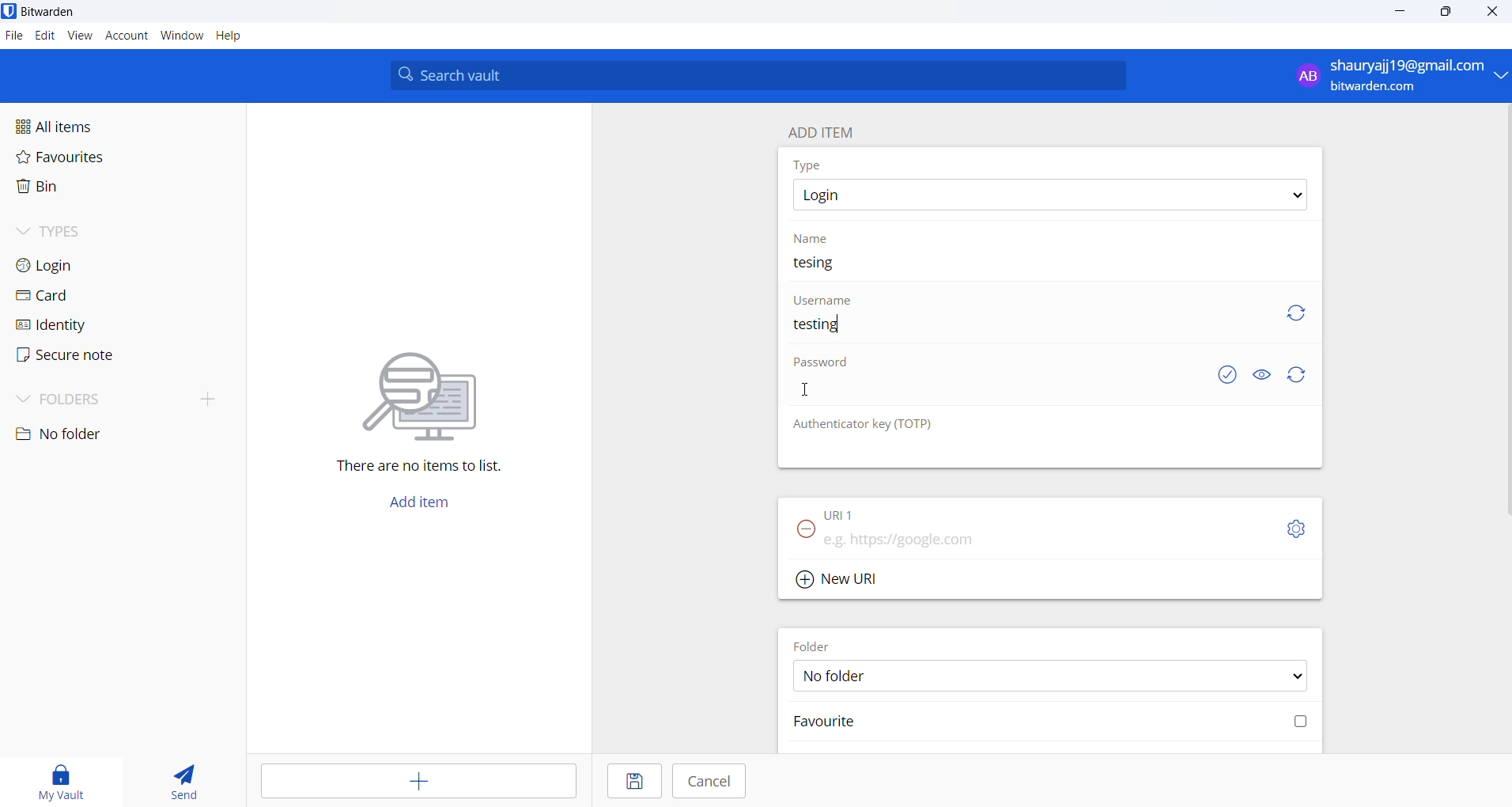 This screenshot has width=1512, height=807. I want to click on add item button, so click(428, 506).